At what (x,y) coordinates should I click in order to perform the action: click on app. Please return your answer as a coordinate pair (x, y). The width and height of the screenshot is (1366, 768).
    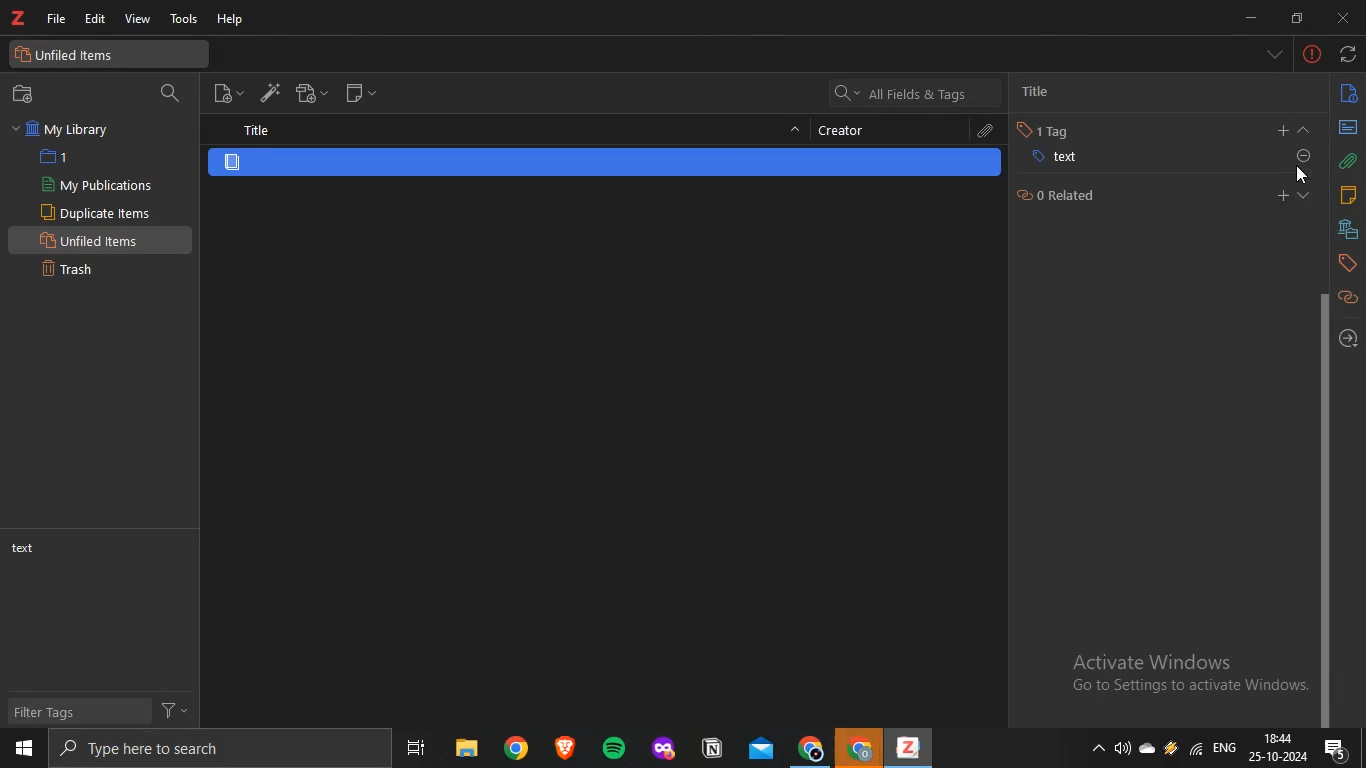
    Looking at the image, I should click on (913, 748).